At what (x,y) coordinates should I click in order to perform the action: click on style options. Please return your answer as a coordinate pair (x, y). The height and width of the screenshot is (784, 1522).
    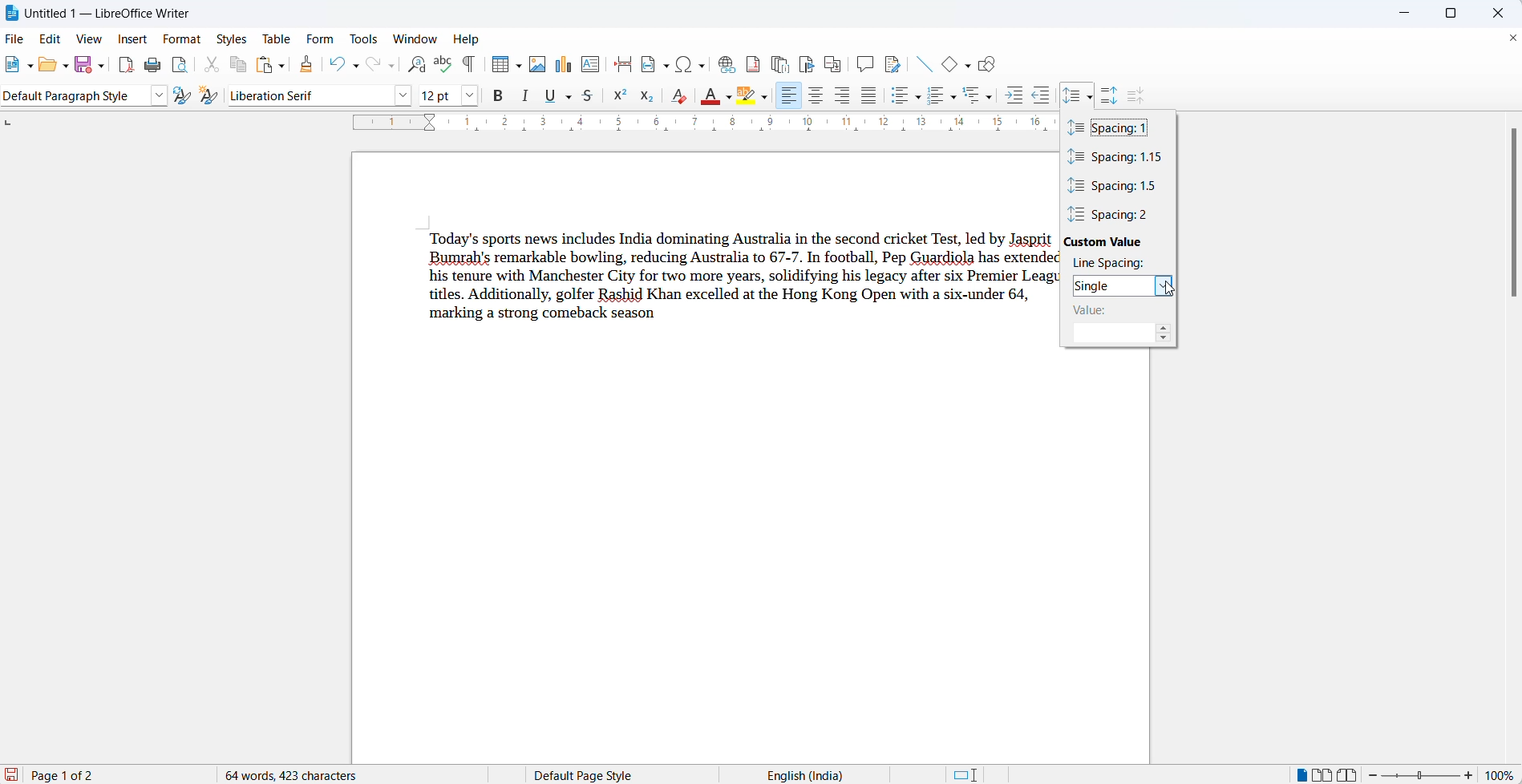
    Looking at the image, I should click on (156, 95).